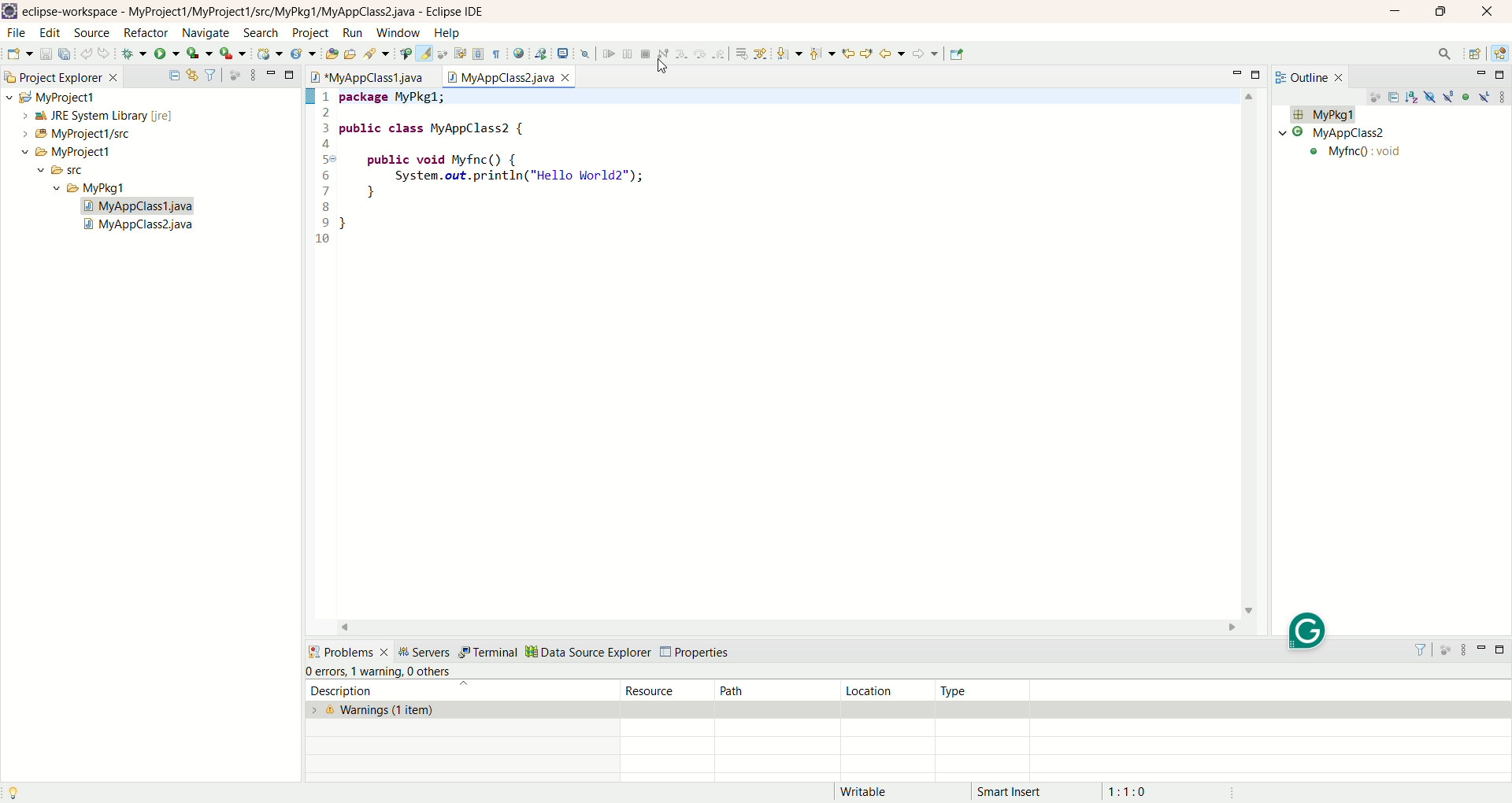 The width and height of the screenshot is (1512, 803). I want to click on errors, so click(325, 672).